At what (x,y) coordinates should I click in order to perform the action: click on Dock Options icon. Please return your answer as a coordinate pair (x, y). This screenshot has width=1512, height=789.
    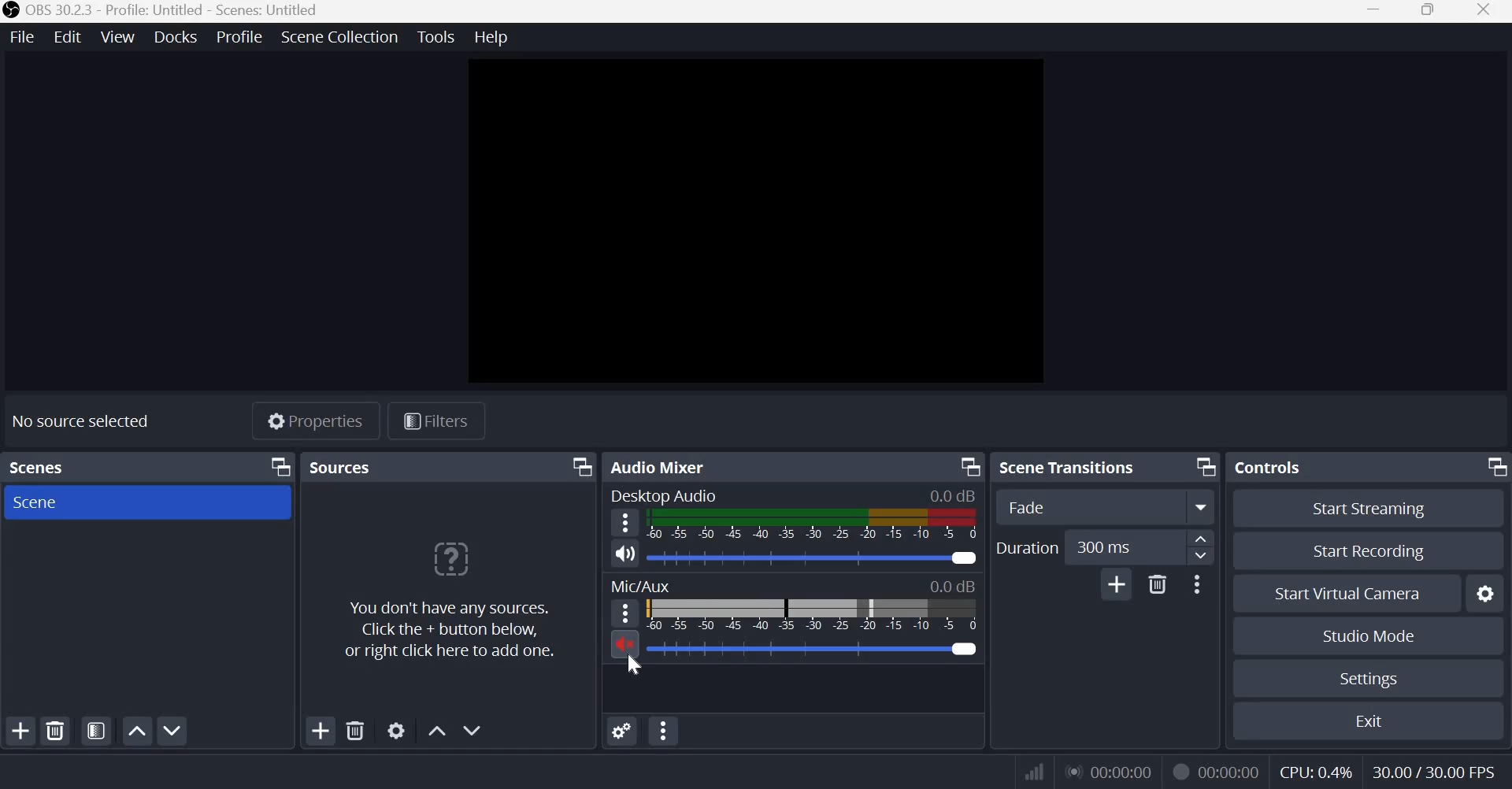
    Looking at the image, I should click on (1489, 469).